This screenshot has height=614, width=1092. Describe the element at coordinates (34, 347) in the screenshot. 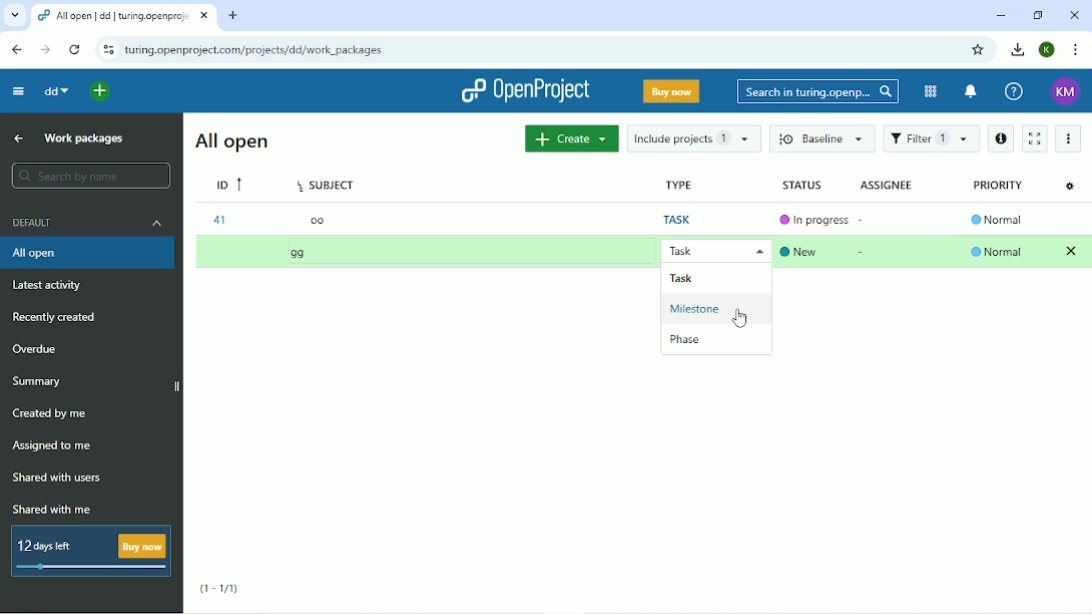

I see `Overdue` at that location.